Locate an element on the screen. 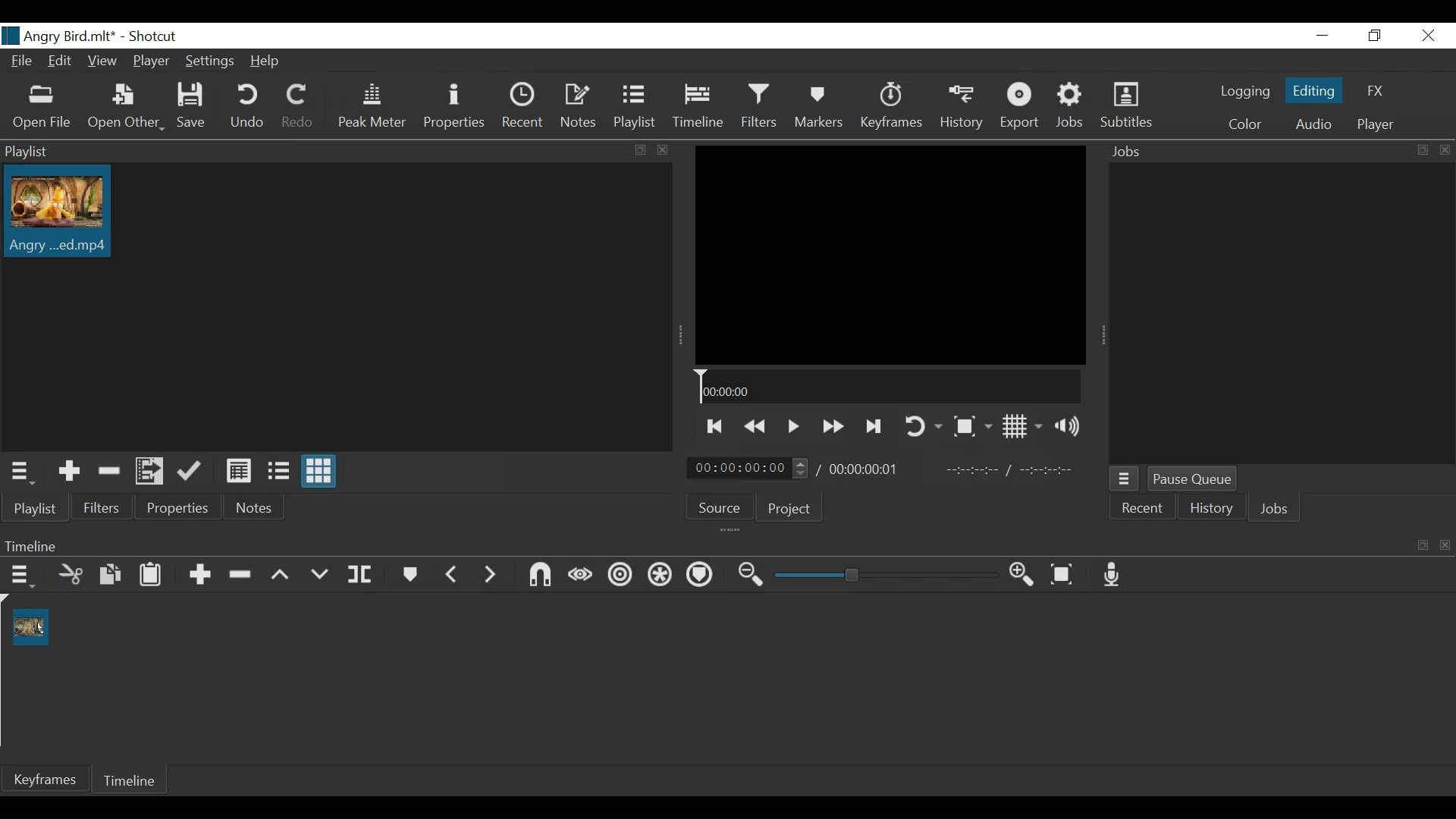 This screenshot has width=1456, height=819. Zoom slider is located at coordinates (886, 575).